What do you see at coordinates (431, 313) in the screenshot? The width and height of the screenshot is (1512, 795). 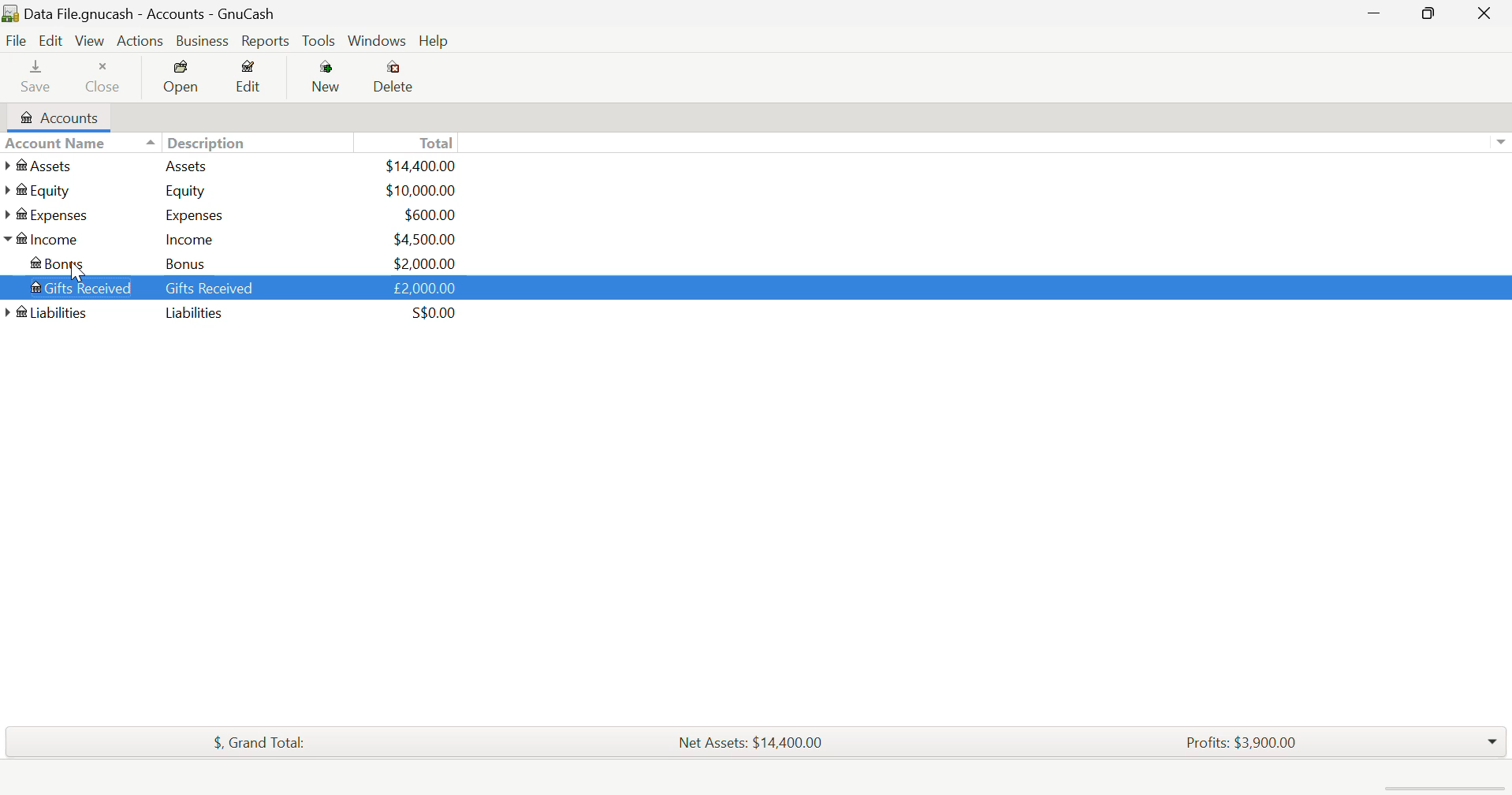 I see `SGD Amount` at bounding box center [431, 313].